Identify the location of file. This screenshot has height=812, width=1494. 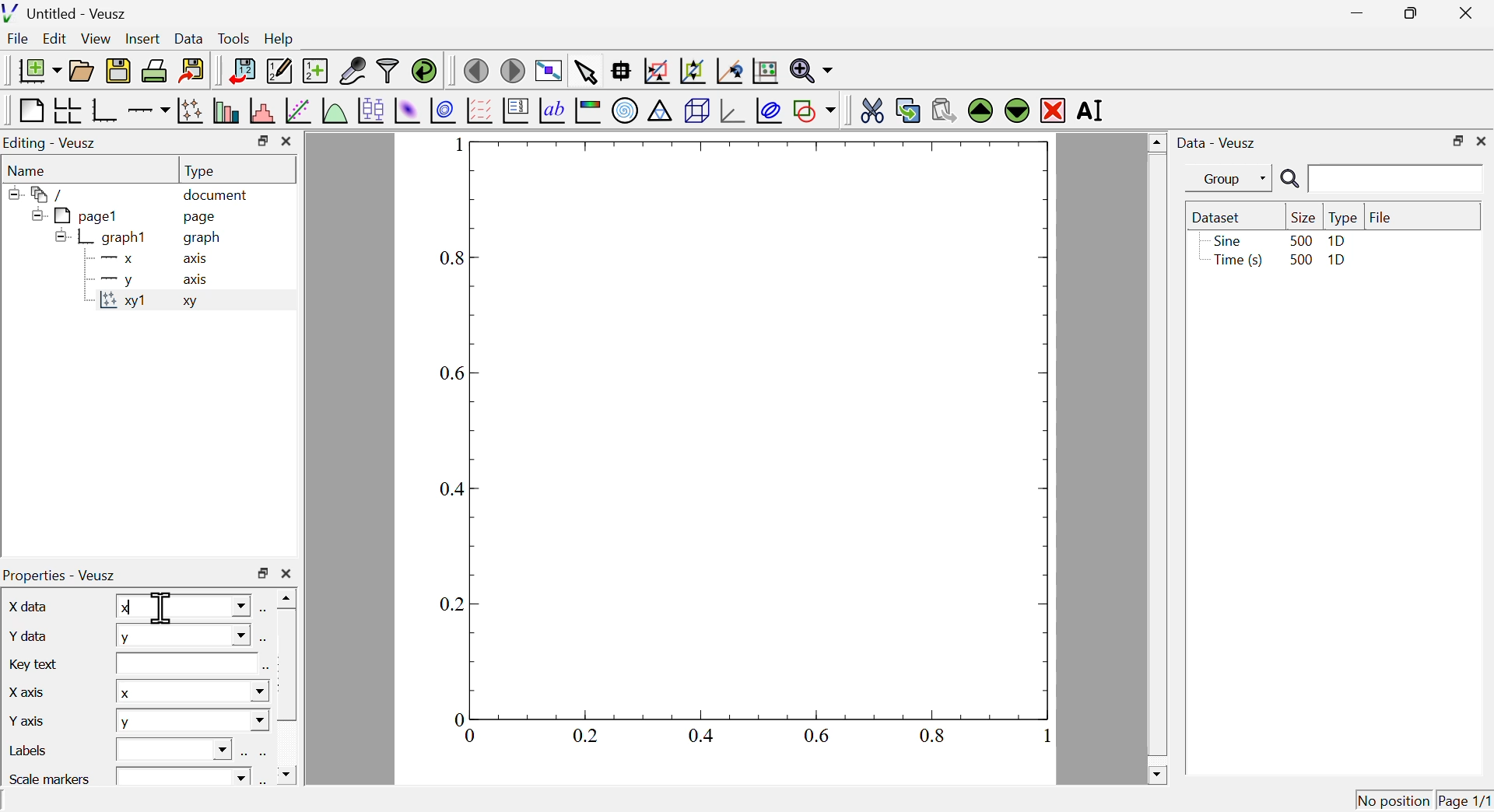
(19, 40).